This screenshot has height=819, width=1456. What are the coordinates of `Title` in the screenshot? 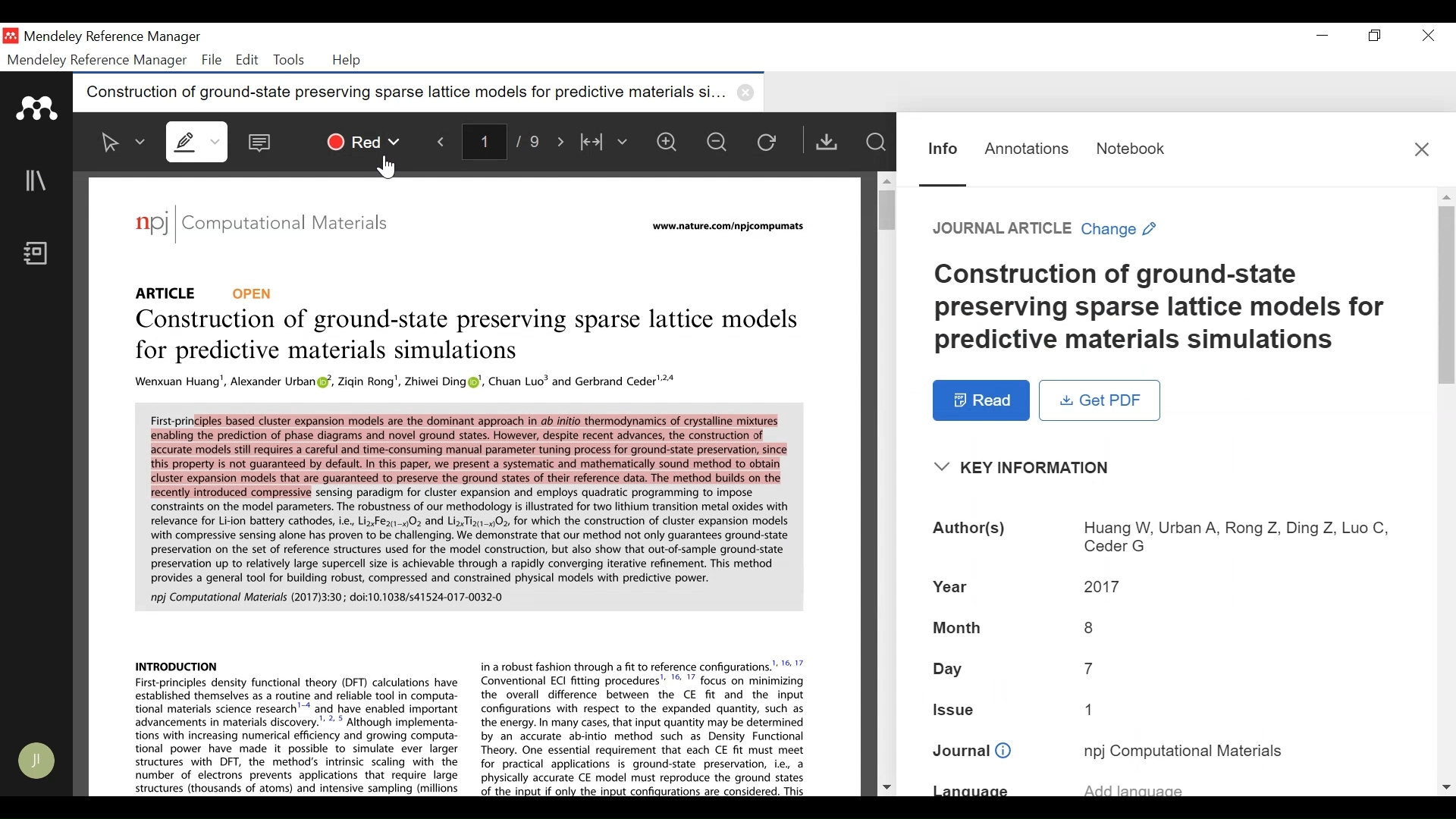 It's located at (1159, 304).